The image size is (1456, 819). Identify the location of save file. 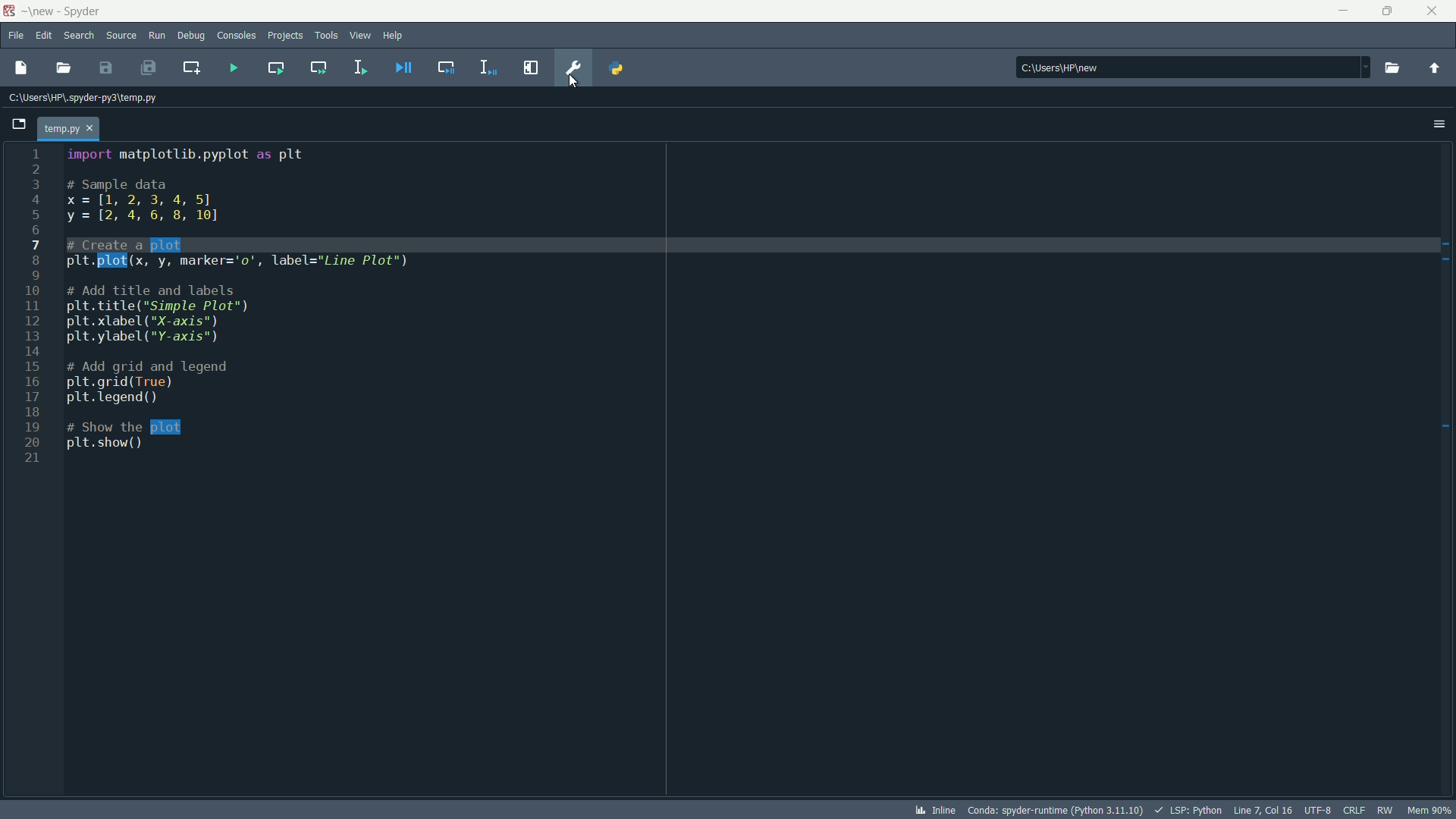
(105, 67).